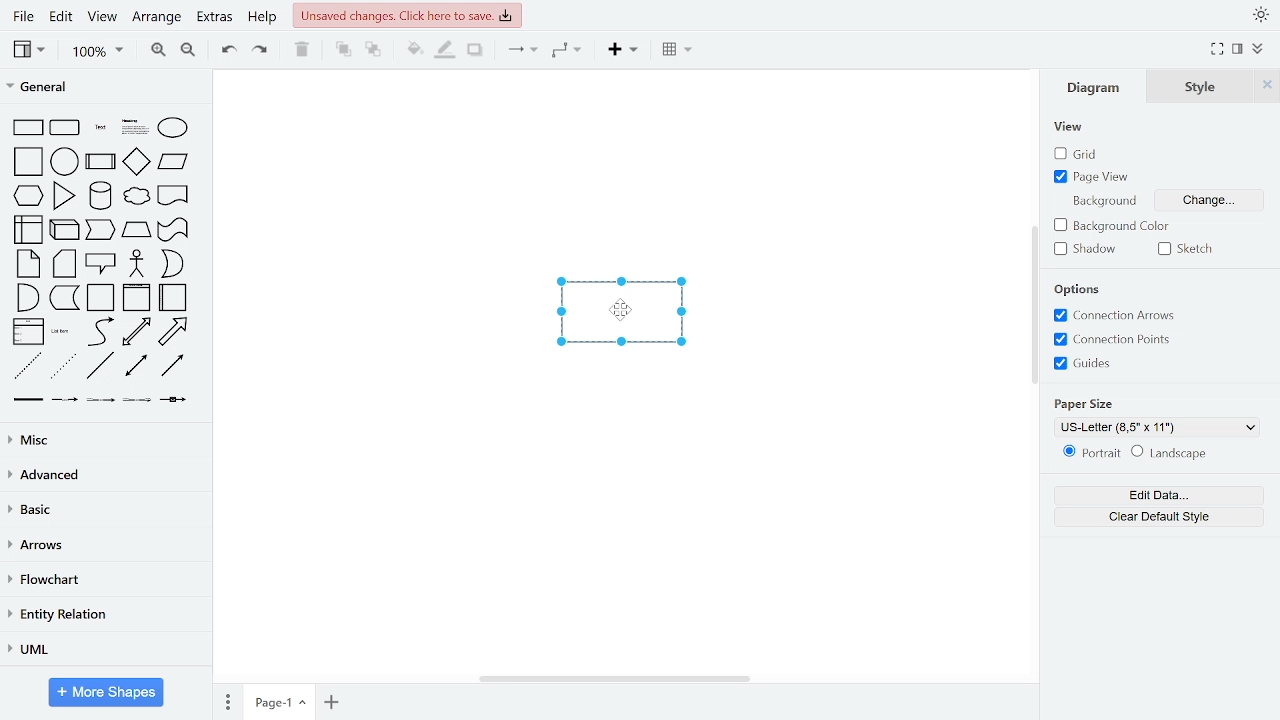 This screenshot has width=1280, height=720. What do you see at coordinates (678, 51) in the screenshot?
I see `table` at bounding box center [678, 51].